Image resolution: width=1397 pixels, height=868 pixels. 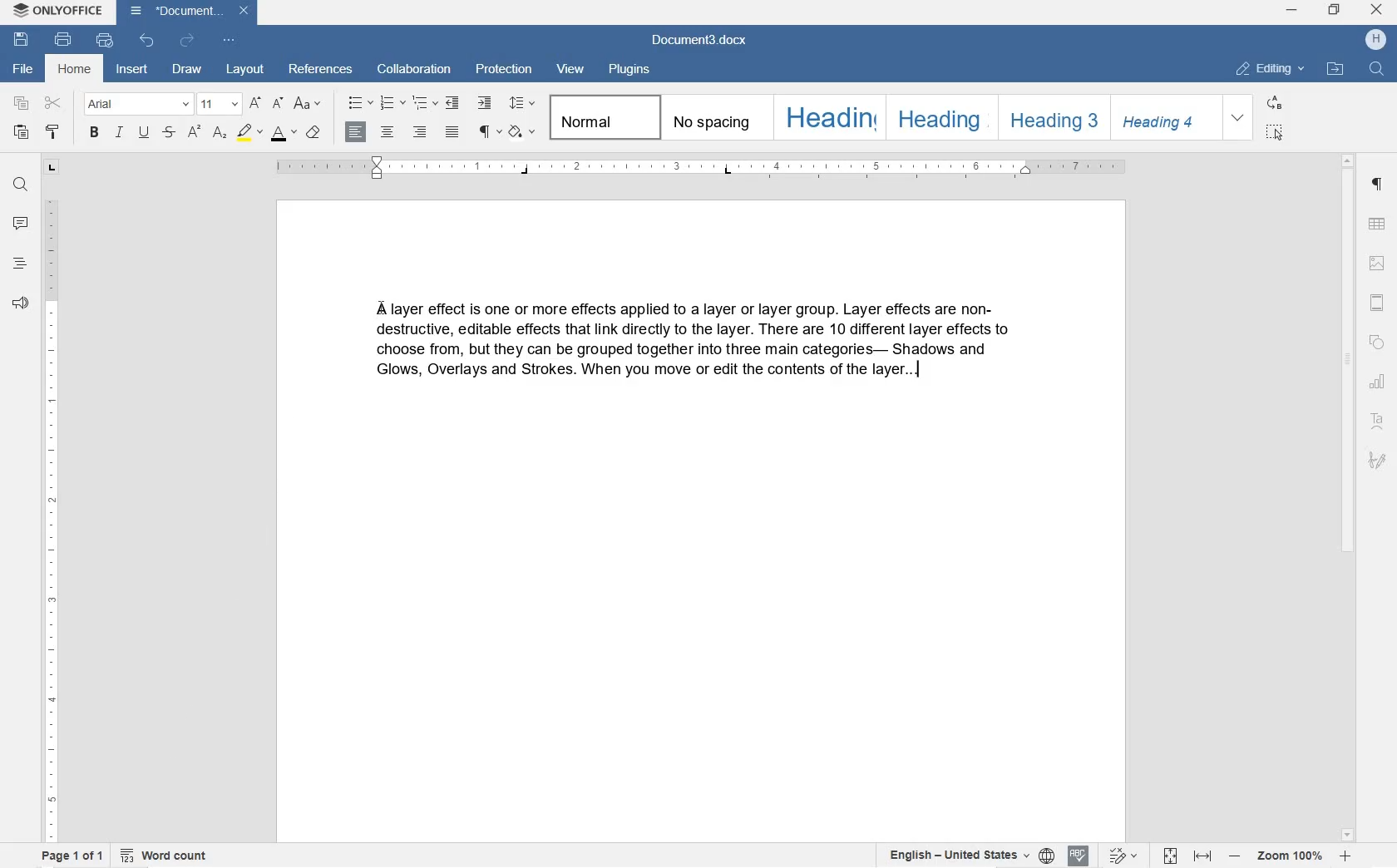 I want to click on FEEDBACK & SUPPORT, so click(x=21, y=305).